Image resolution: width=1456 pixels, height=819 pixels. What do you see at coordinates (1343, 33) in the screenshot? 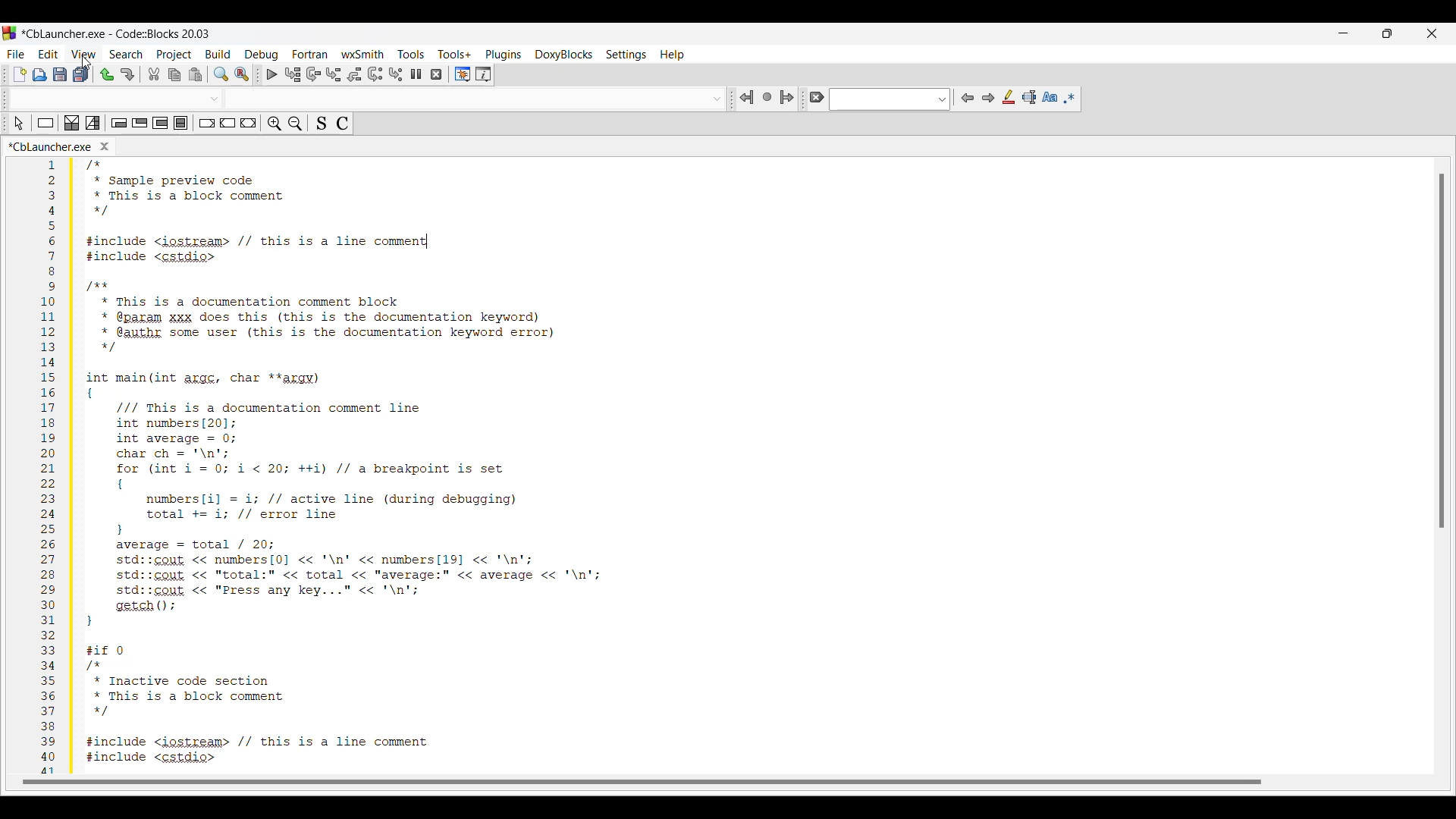
I see `Minimize` at bounding box center [1343, 33].